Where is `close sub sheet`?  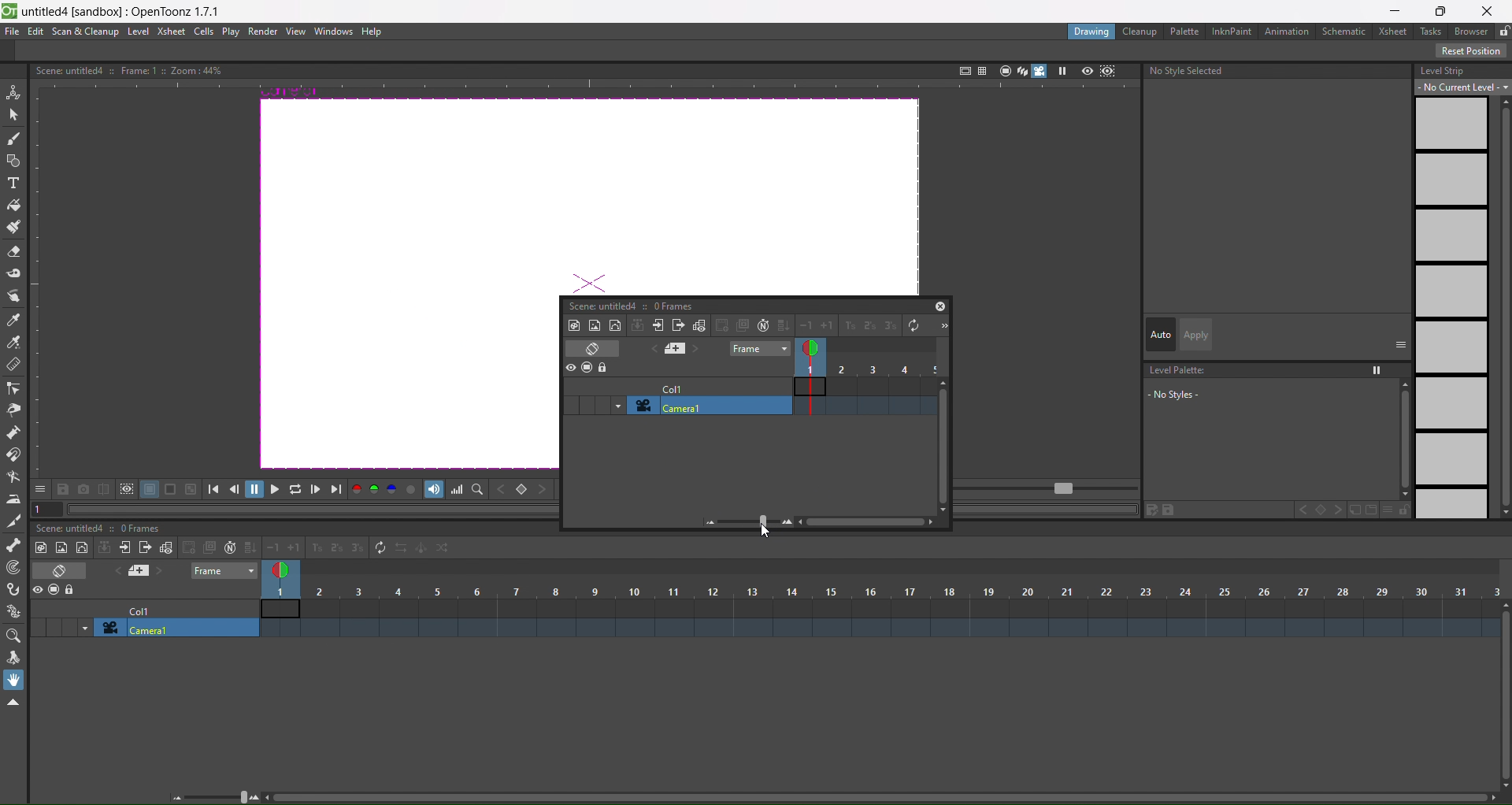 close sub sheet is located at coordinates (145, 549).